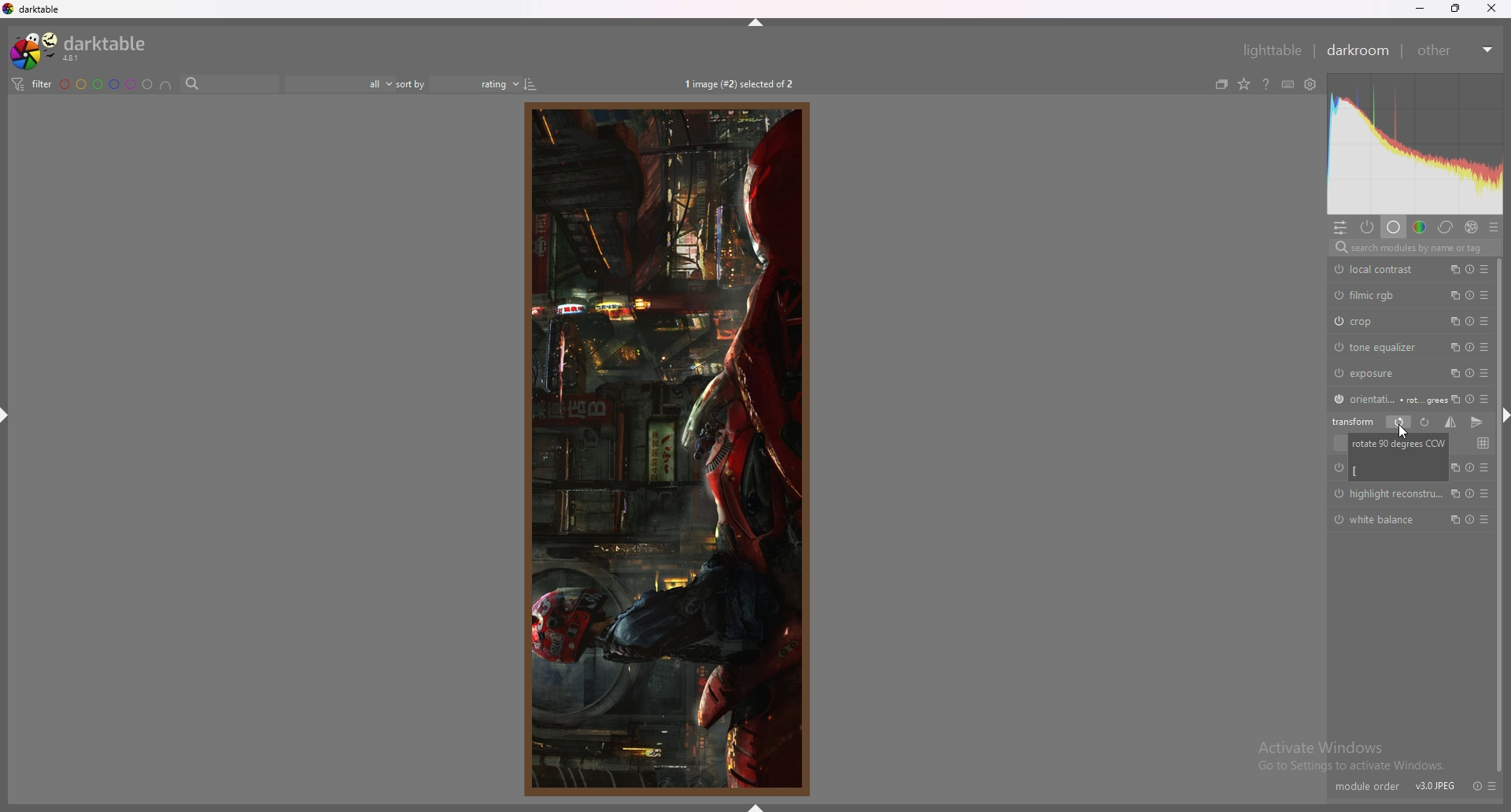 The height and width of the screenshot is (812, 1511). I want to click on flip vertically, so click(1479, 422).